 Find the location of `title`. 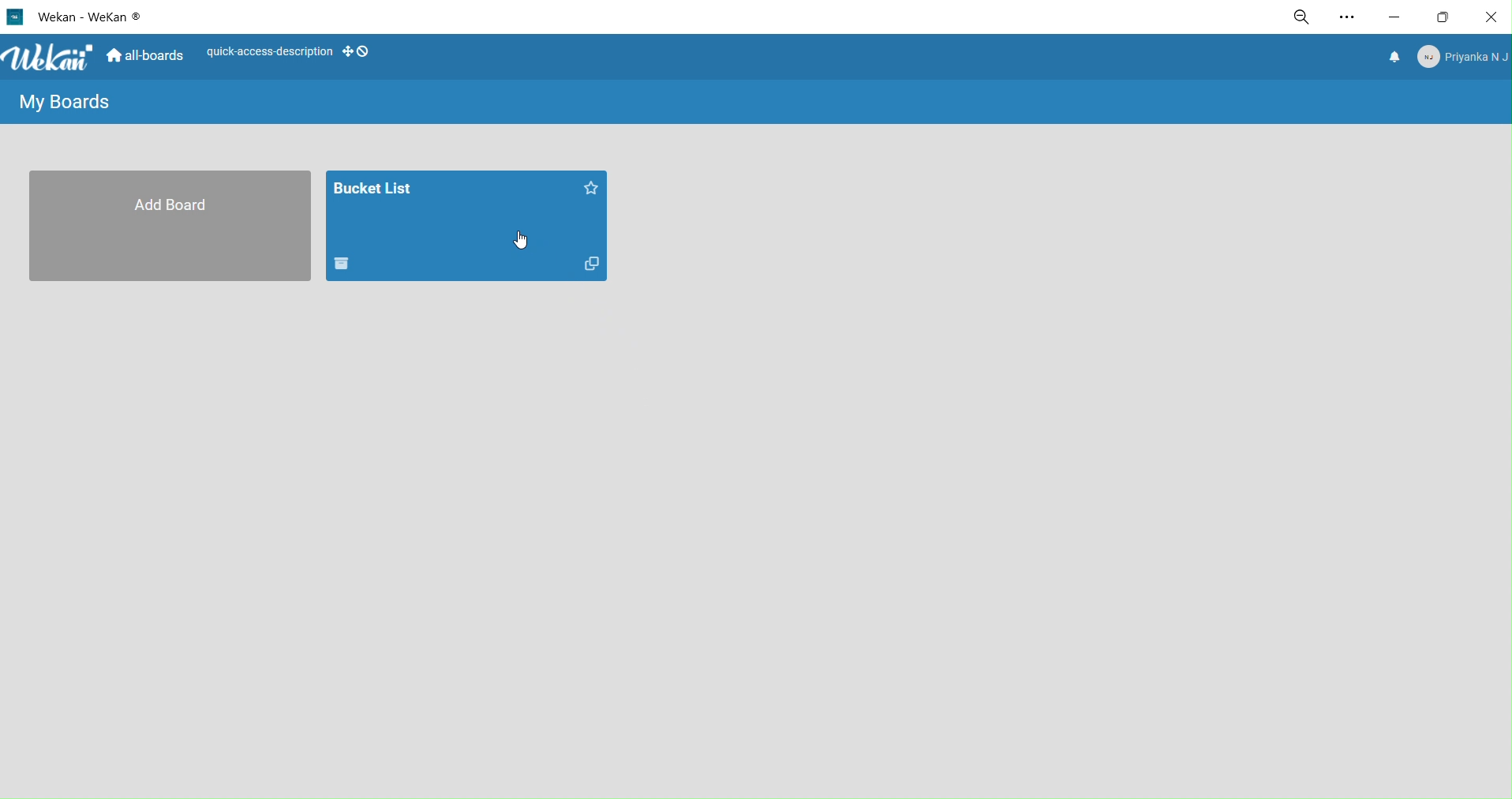

title is located at coordinates (95, 17).